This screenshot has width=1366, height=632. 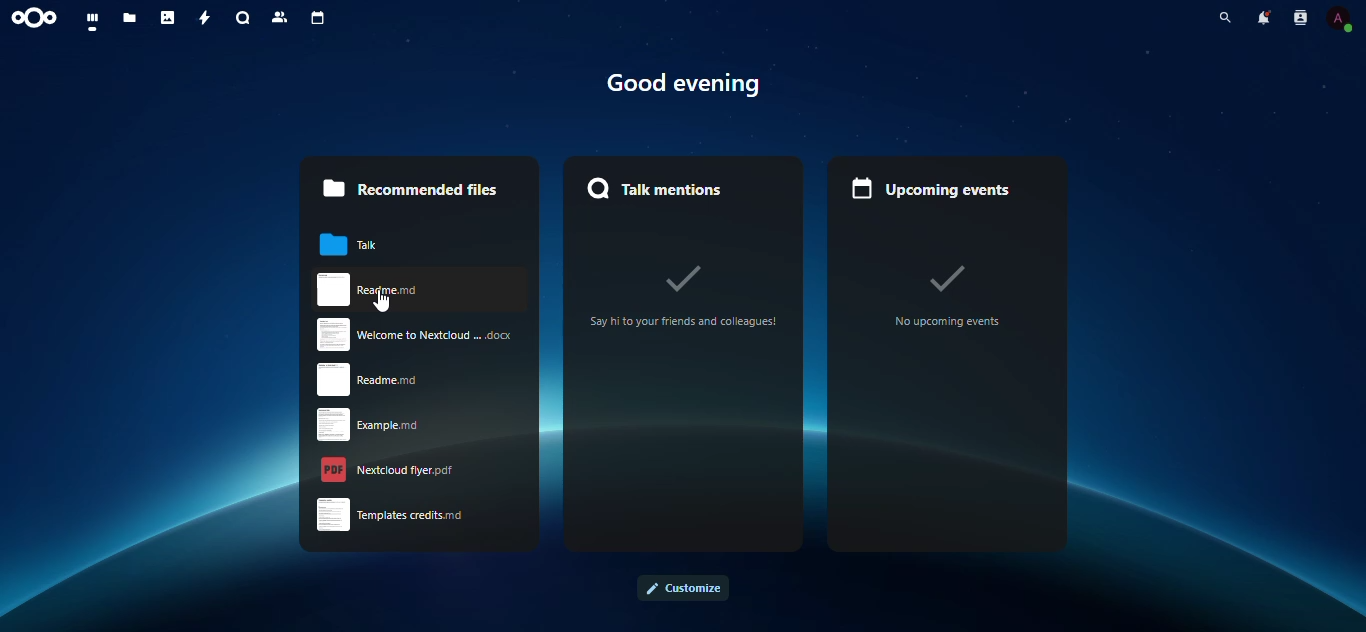 I want to click on Tick mark, so click(x=685, y=276).